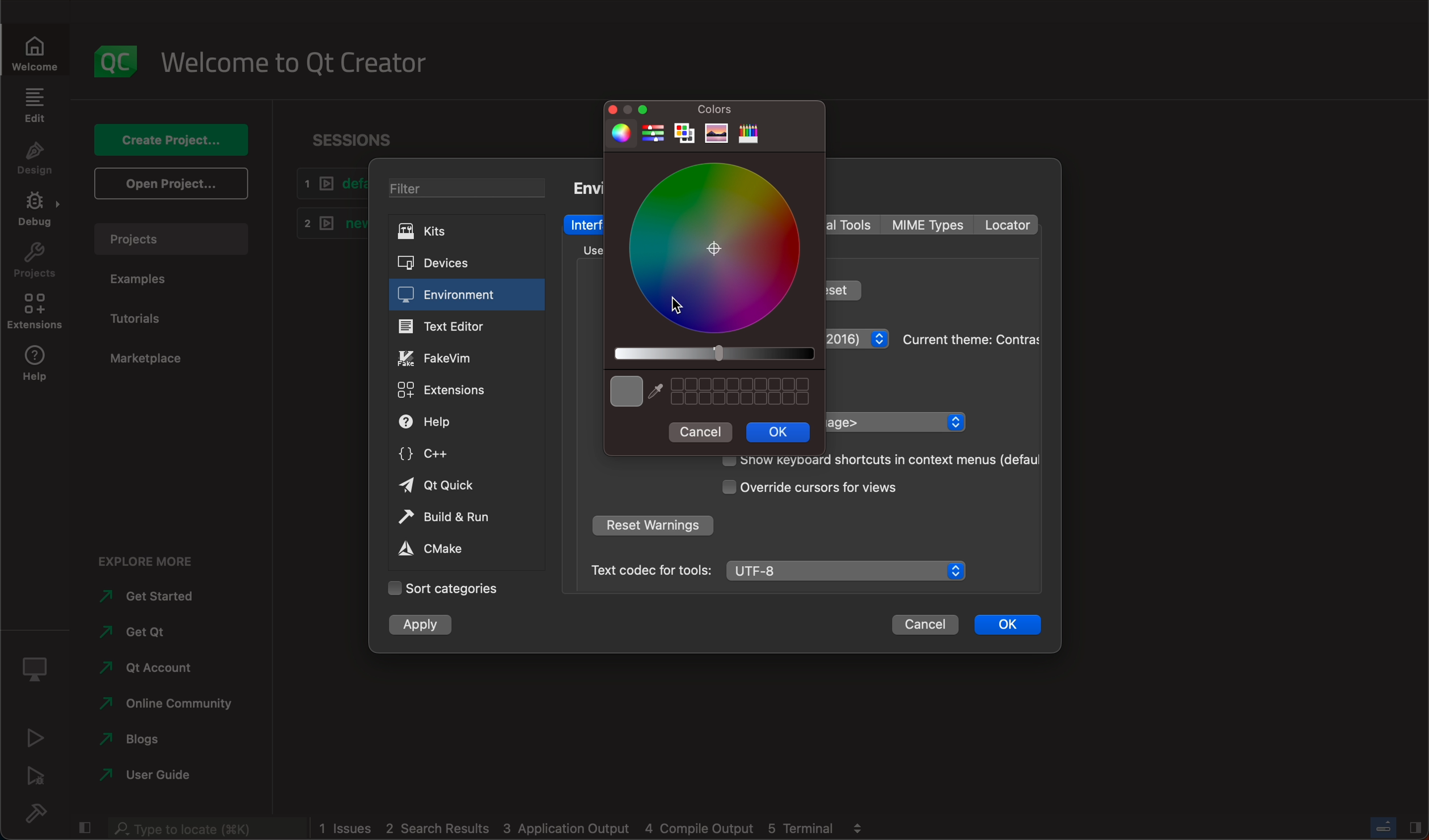  I want to click on reset warnings, so click(652, 527).